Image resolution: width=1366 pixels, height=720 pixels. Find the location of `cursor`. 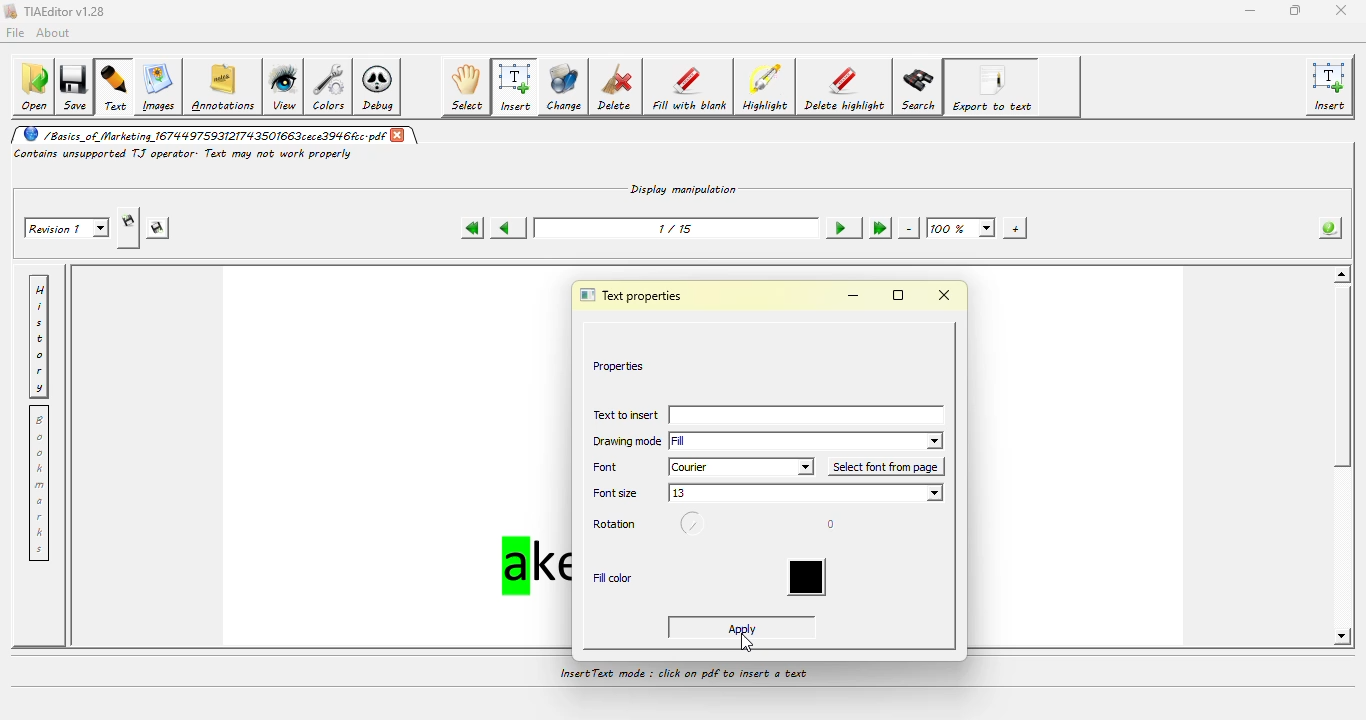

cursor is located at coordinates (746, 643).